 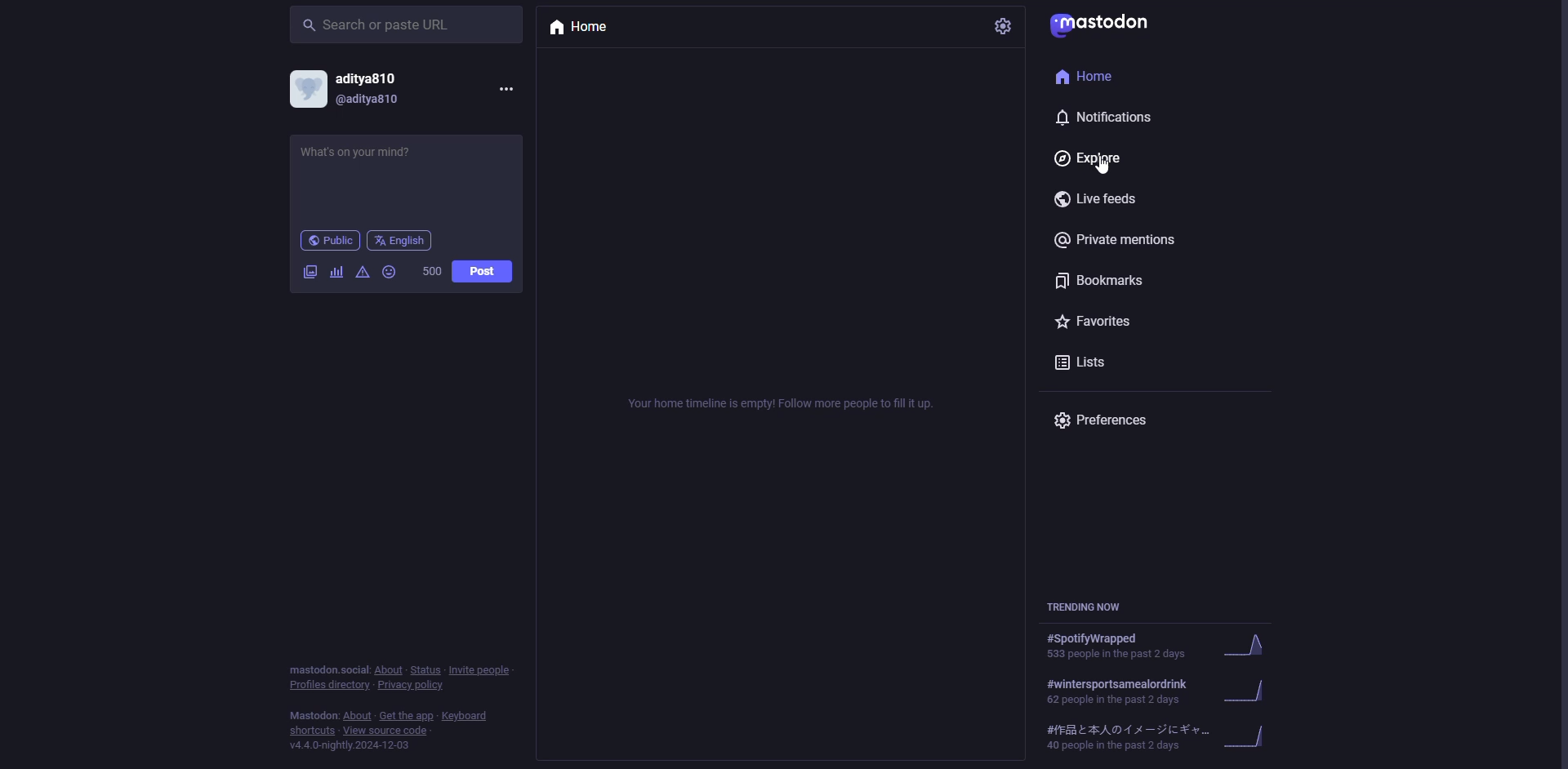 I want to click on notifications, so click(x=1111, y=118).